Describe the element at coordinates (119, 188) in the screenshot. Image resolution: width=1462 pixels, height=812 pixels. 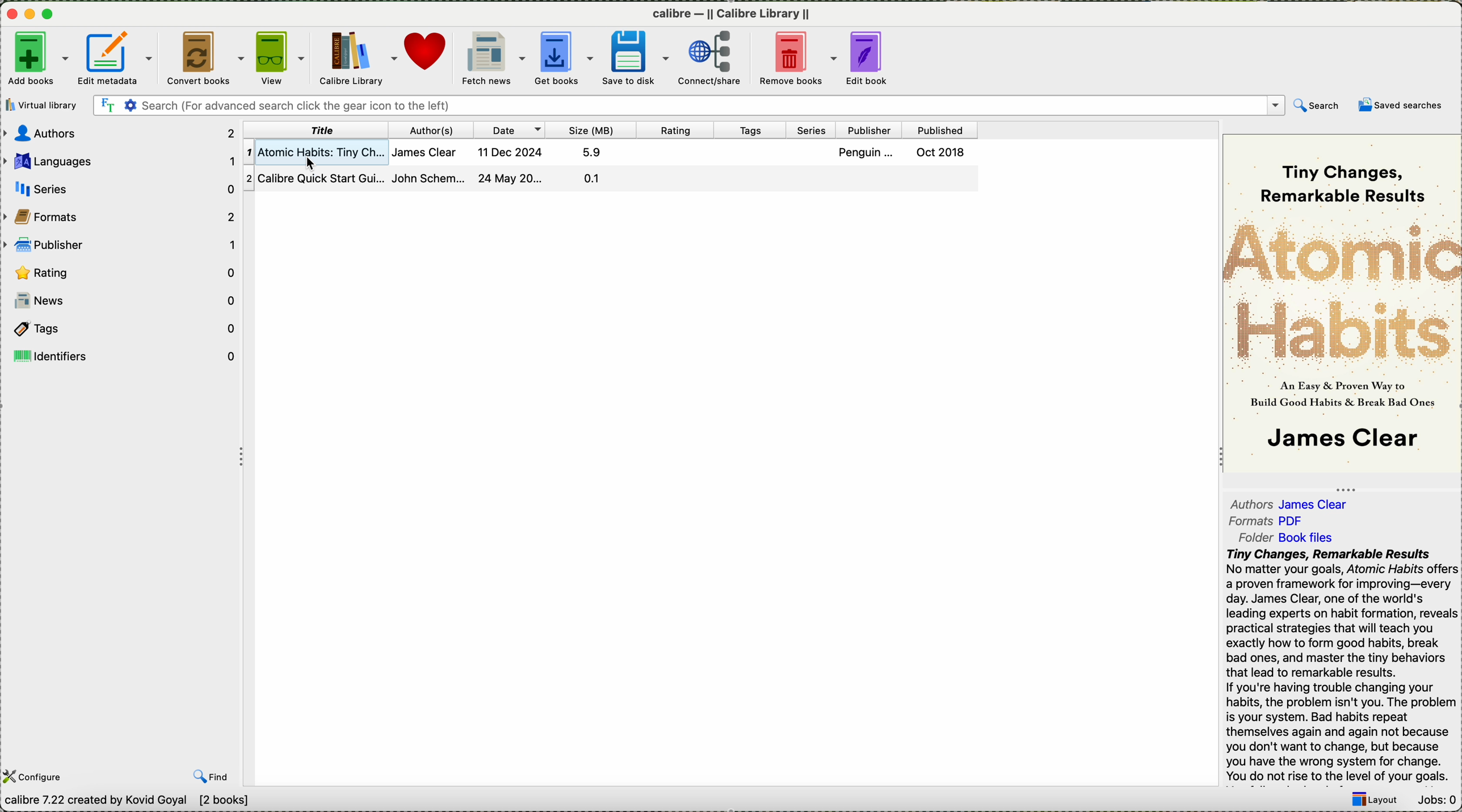
I see `series` at that location.